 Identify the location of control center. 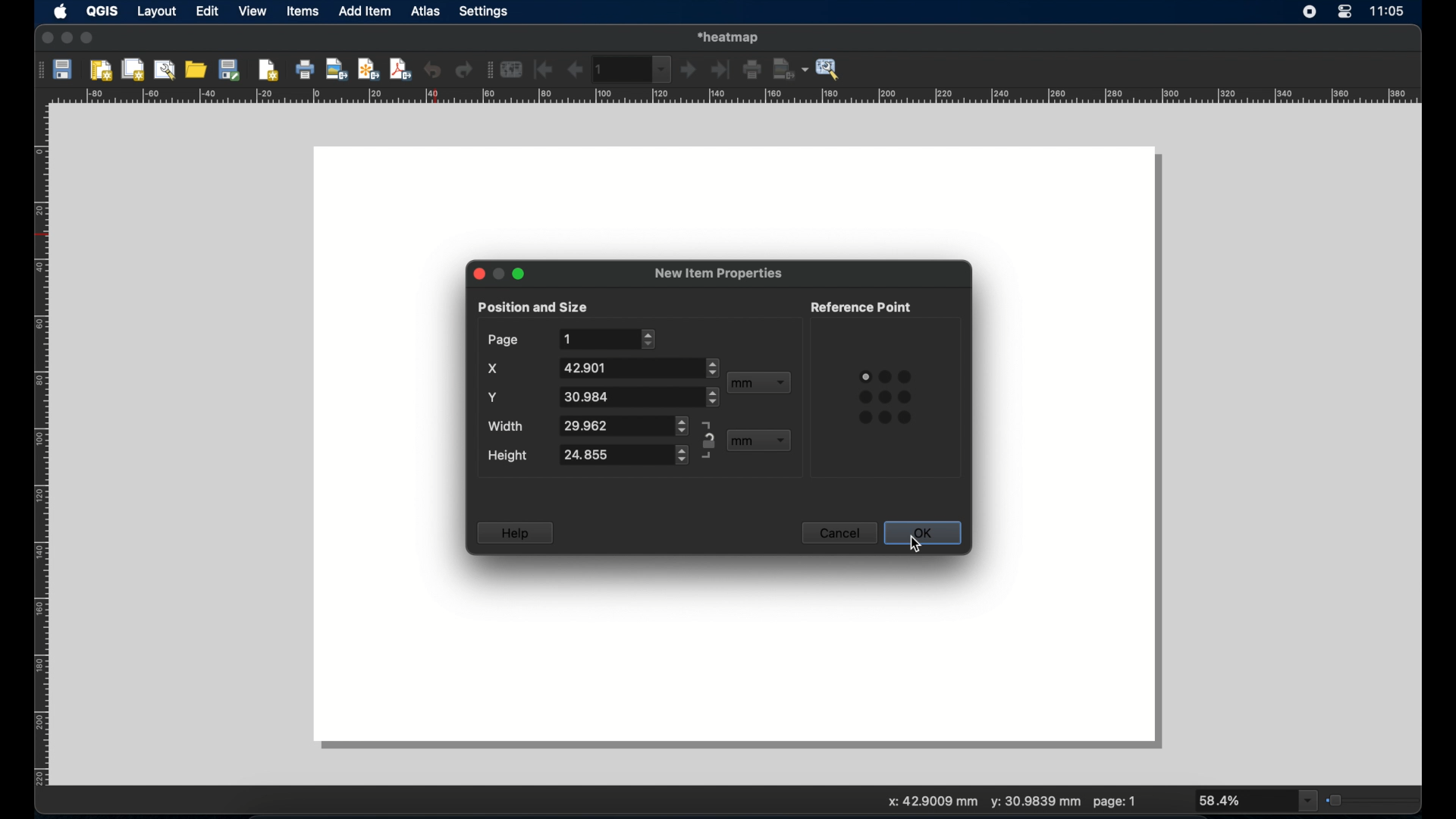
(1345, 13).